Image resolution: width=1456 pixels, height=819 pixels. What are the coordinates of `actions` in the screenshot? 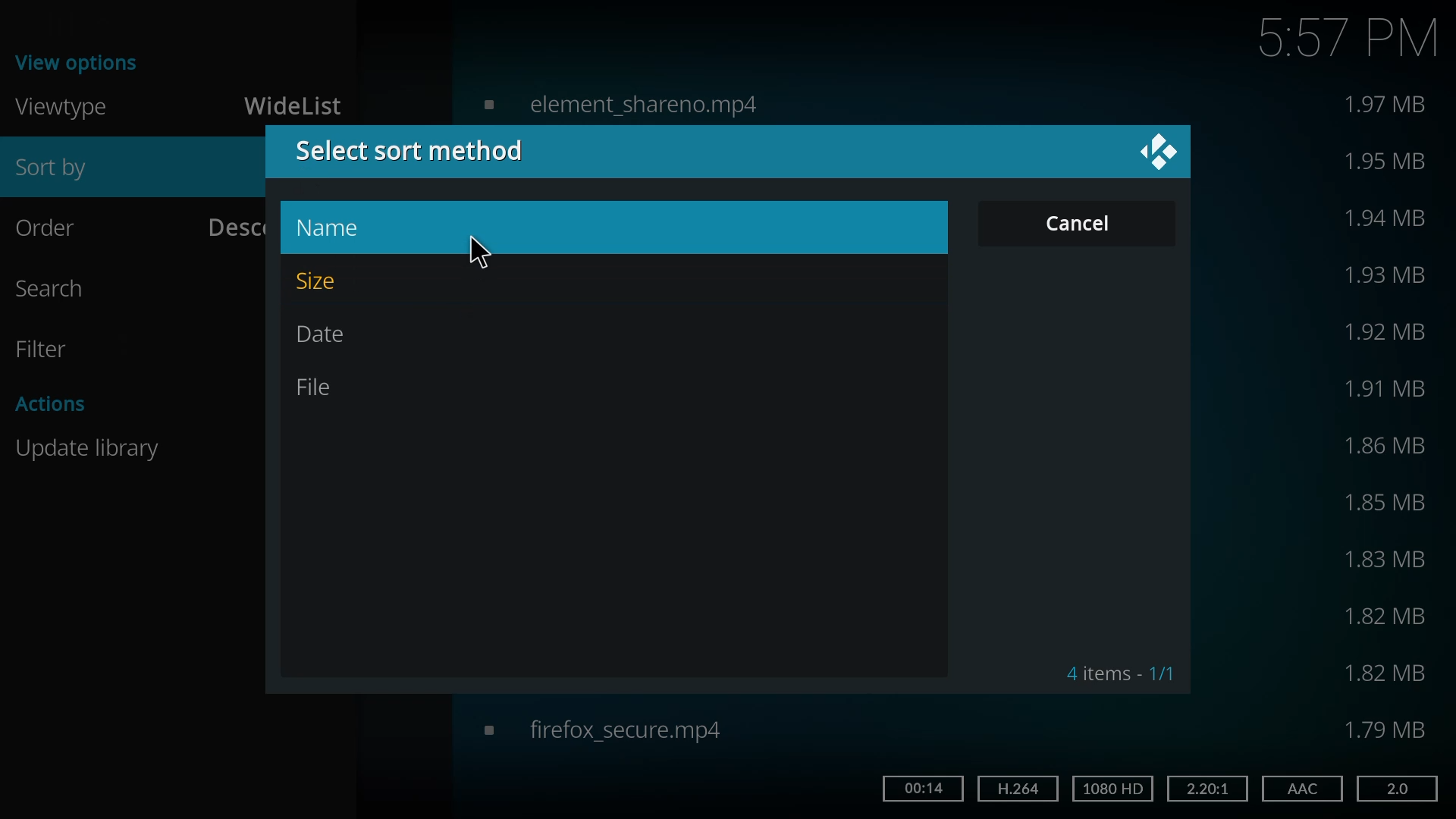 It's located at (55, 402).